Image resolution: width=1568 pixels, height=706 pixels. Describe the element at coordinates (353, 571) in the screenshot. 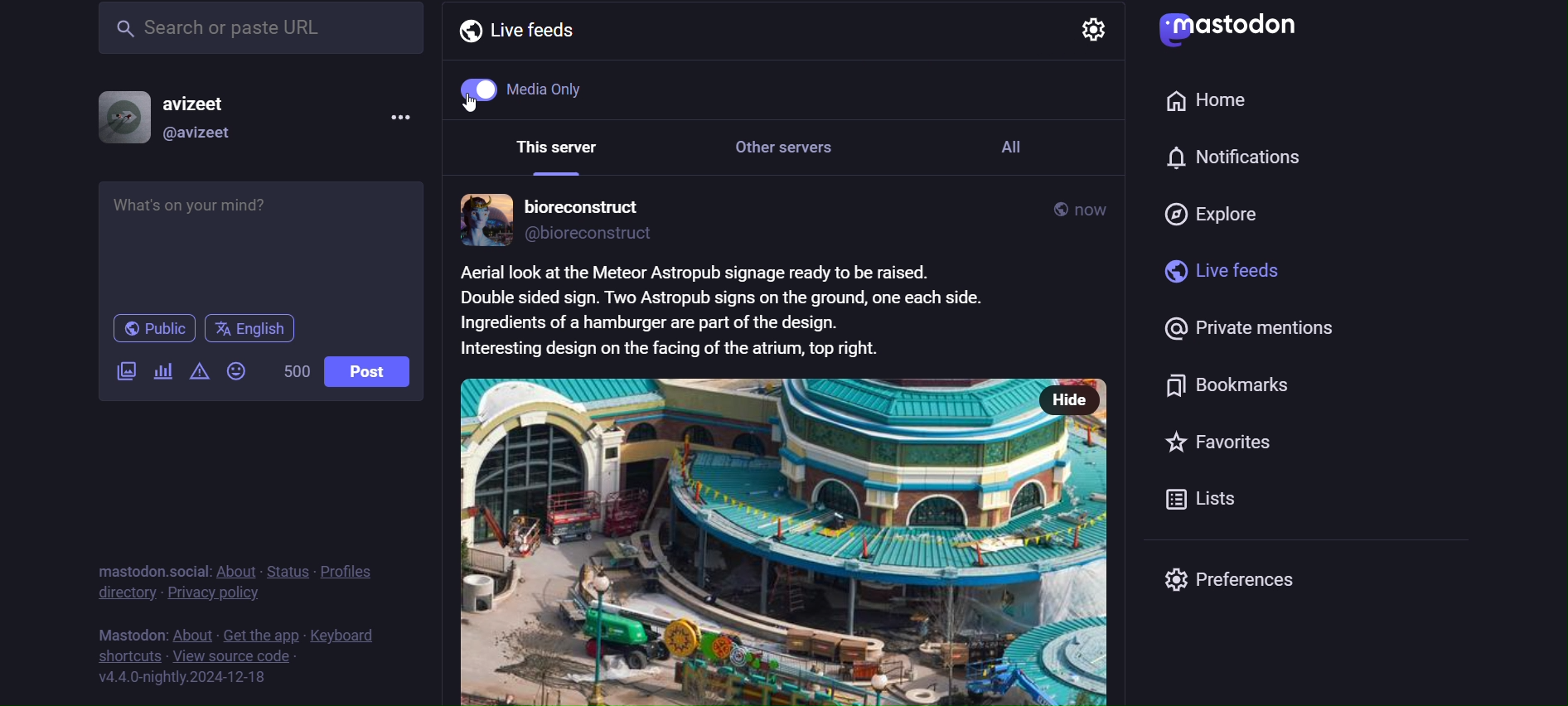

I see `profiles` at that location.